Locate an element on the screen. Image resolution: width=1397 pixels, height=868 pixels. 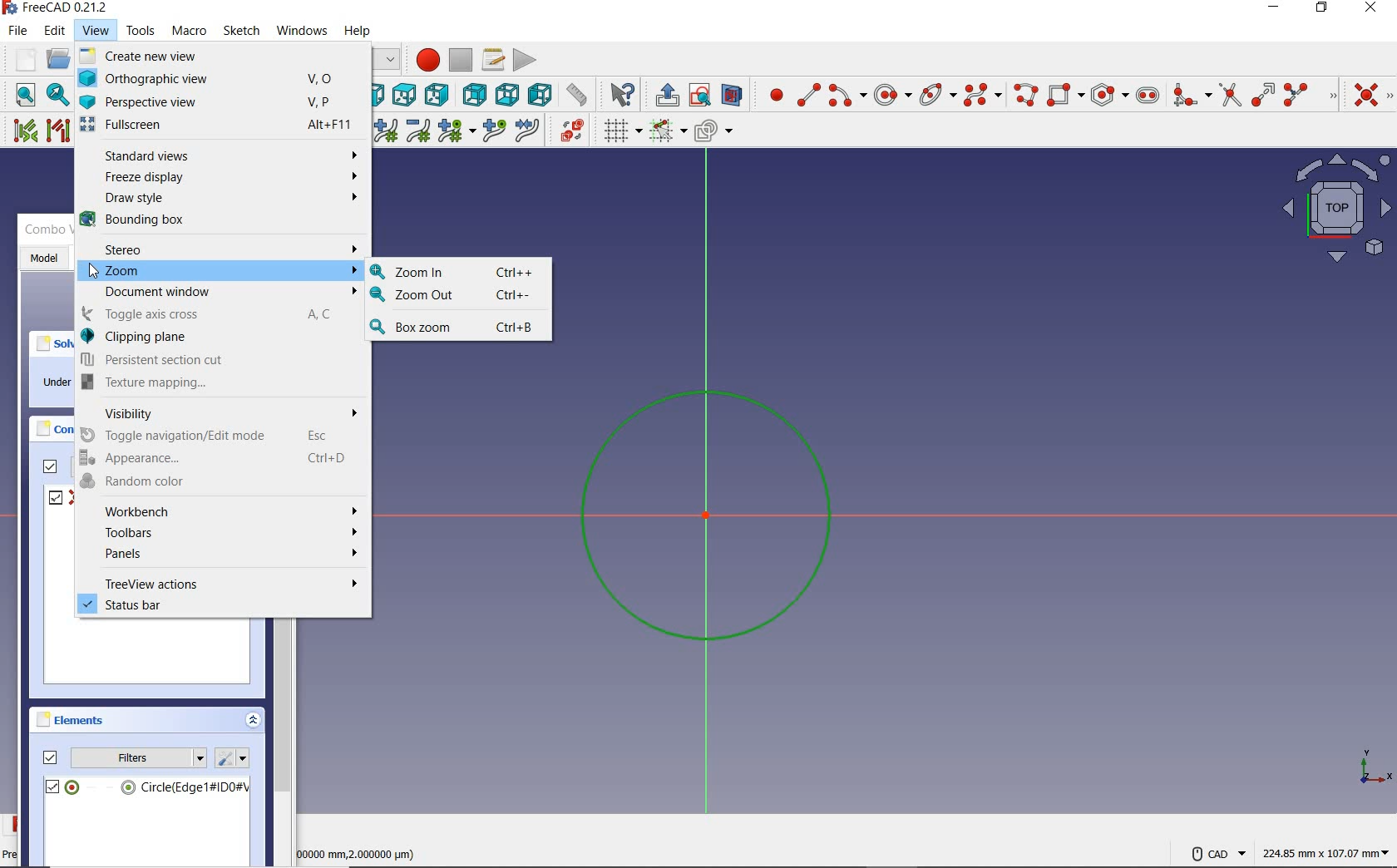
Orthographic view is located at coordinates (217, 76).